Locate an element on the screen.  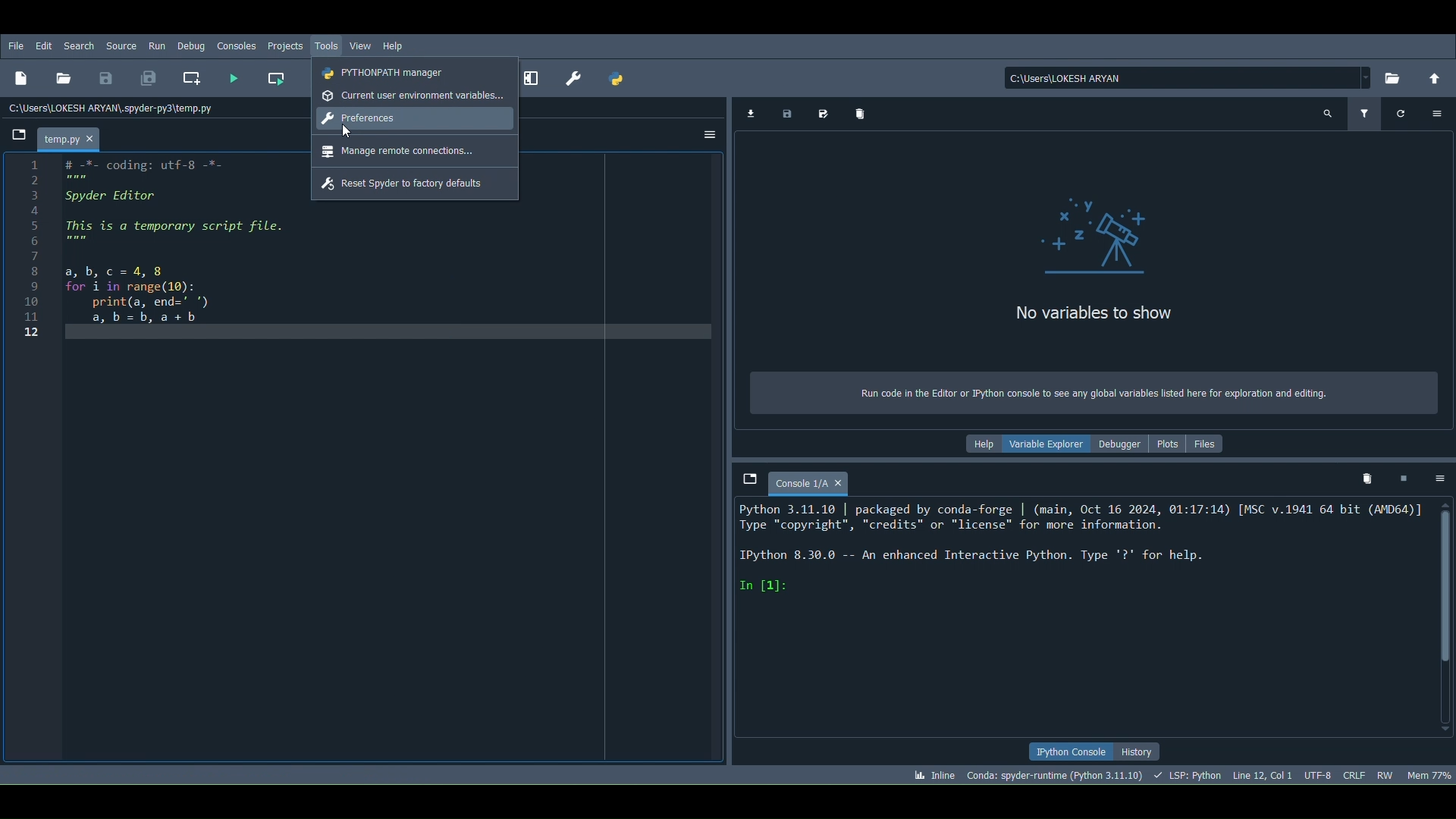
Options is located at coordinates (1439, 479).